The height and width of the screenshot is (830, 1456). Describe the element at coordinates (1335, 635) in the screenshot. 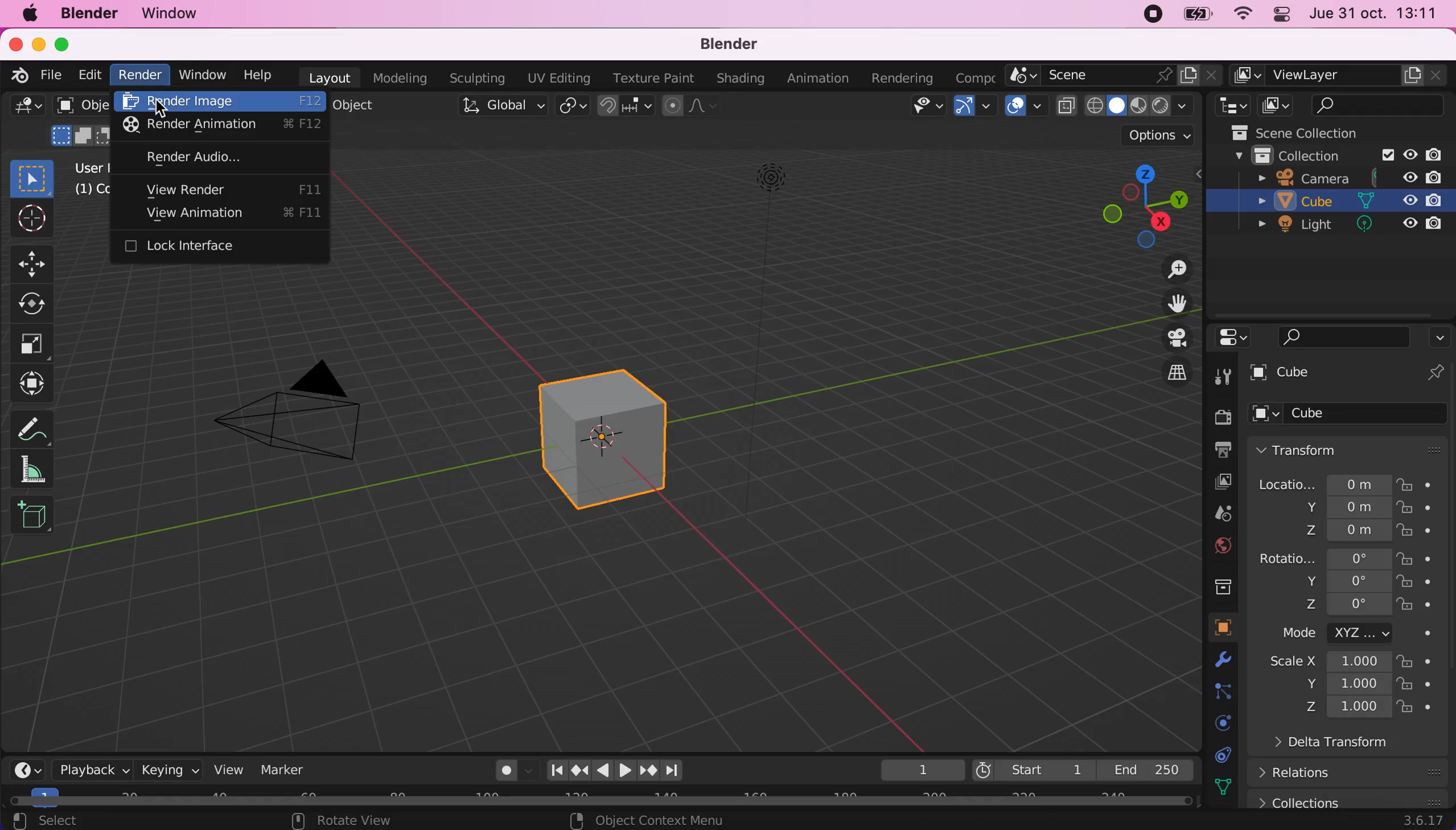

I see `mode` at that location.